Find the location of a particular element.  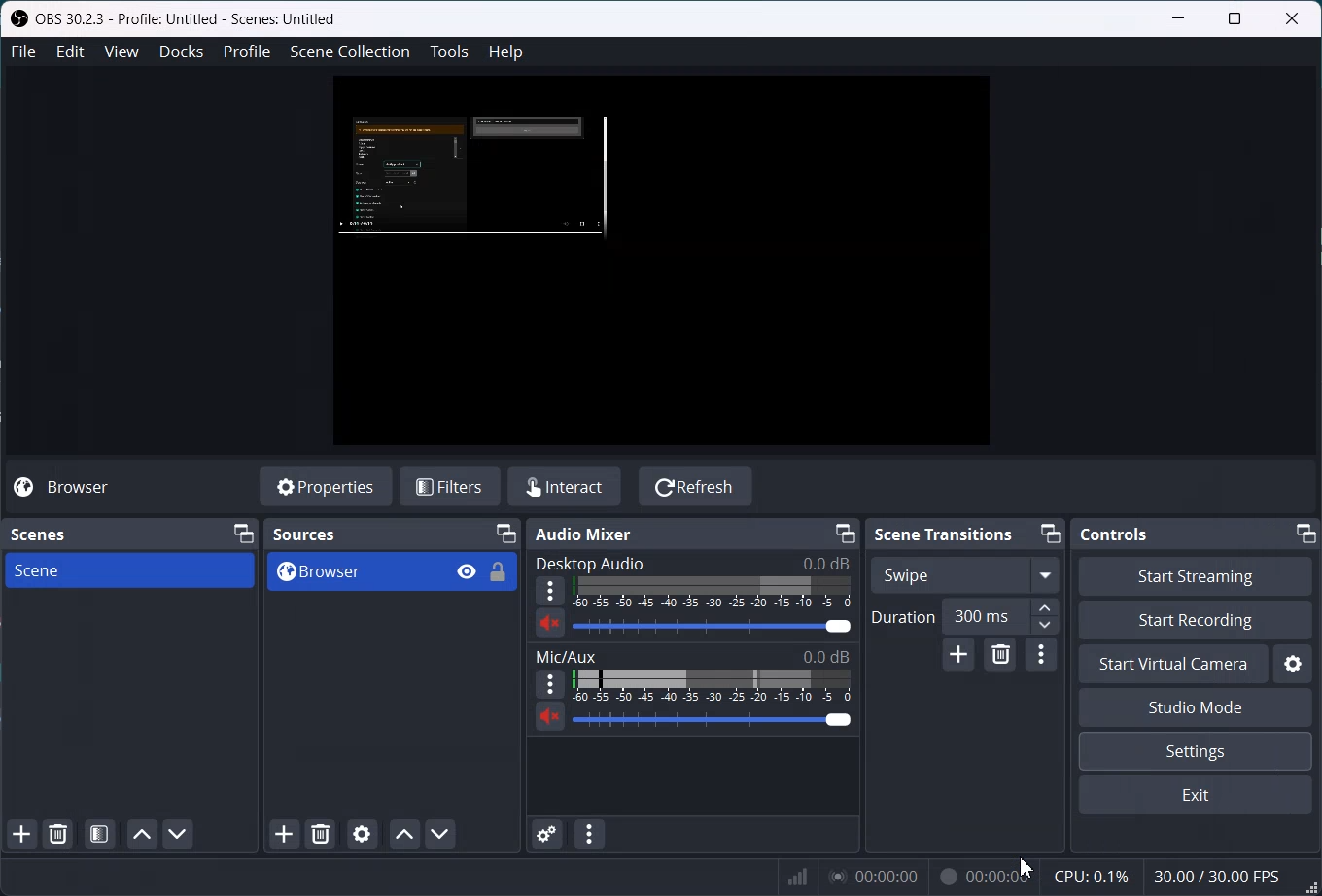

Transition Properties is located at coordinates (1041, 656).